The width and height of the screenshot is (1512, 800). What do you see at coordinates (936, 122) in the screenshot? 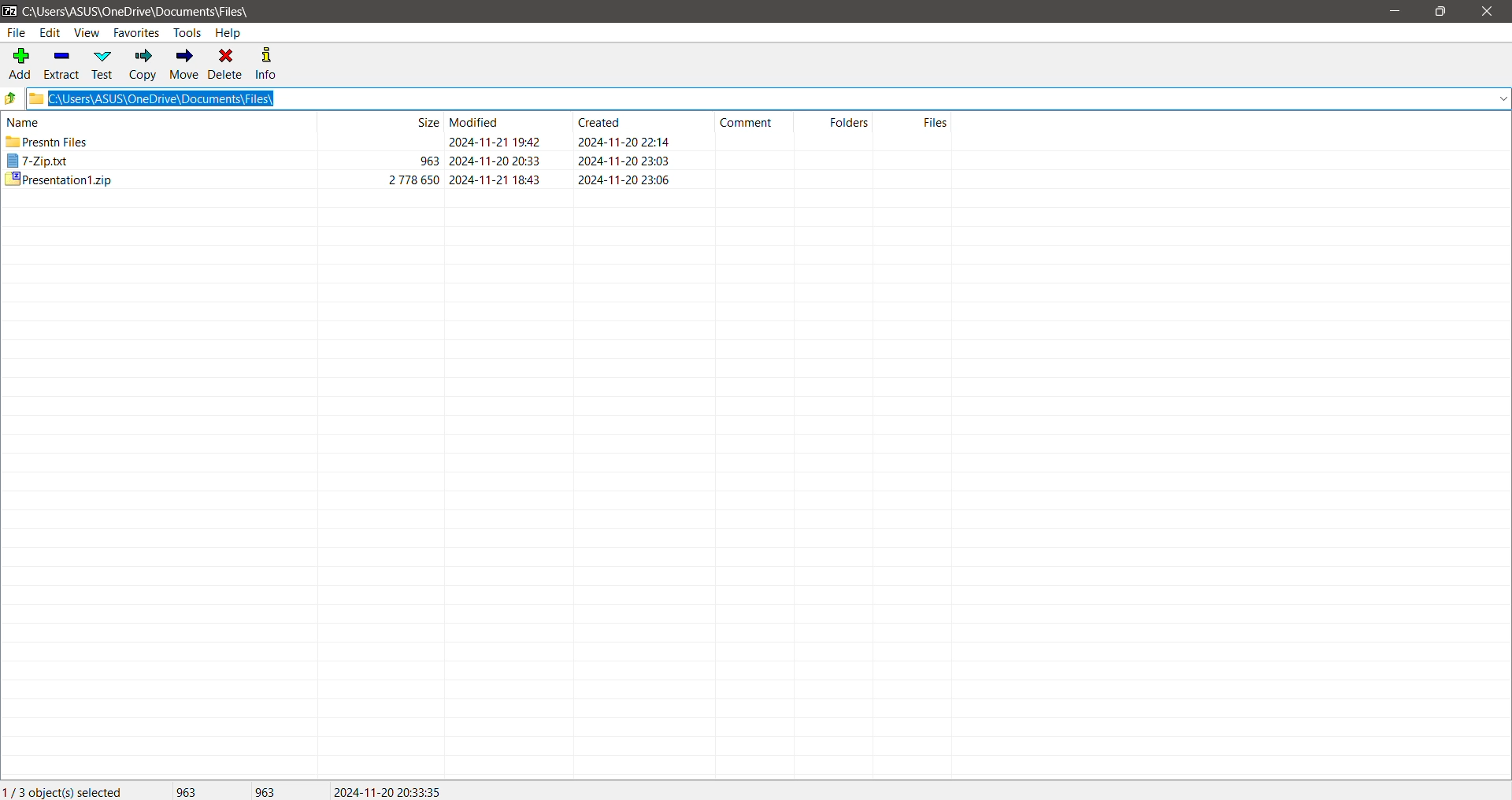
I see `files` at bounding box center [936, 122].